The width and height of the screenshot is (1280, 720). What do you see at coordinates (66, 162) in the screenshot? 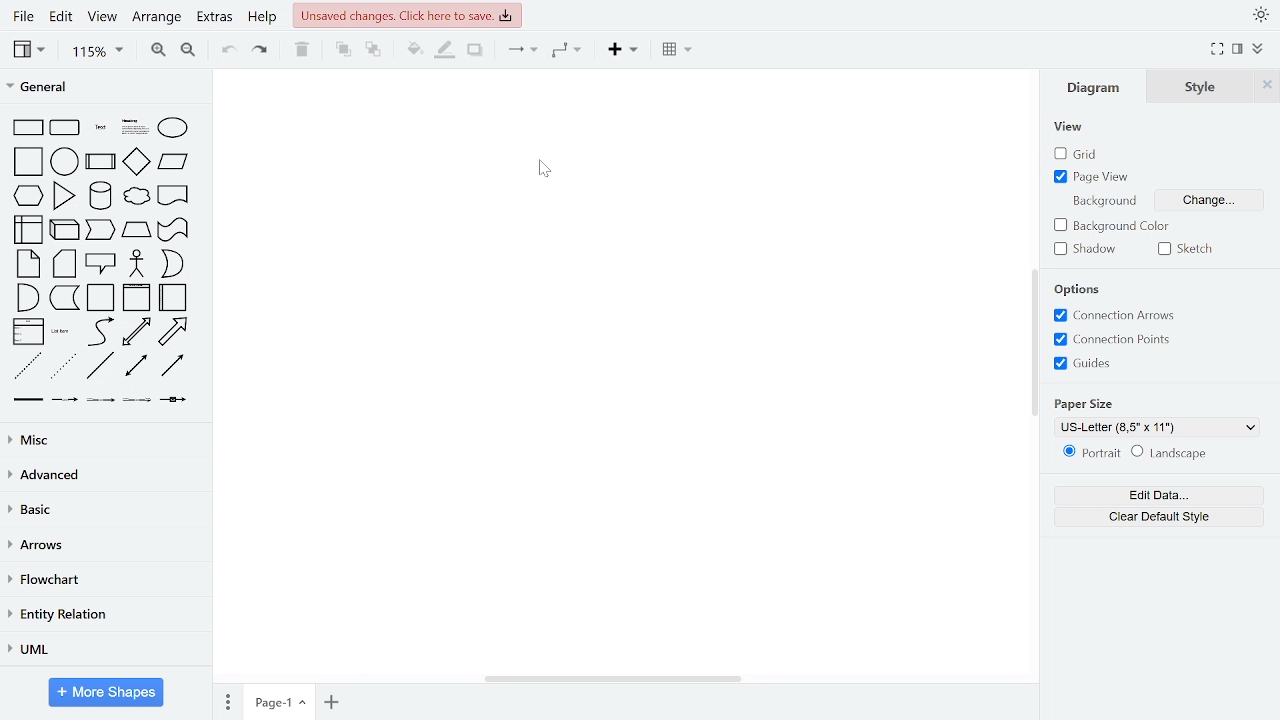
I see `circle` at bounding box center [66, 162].